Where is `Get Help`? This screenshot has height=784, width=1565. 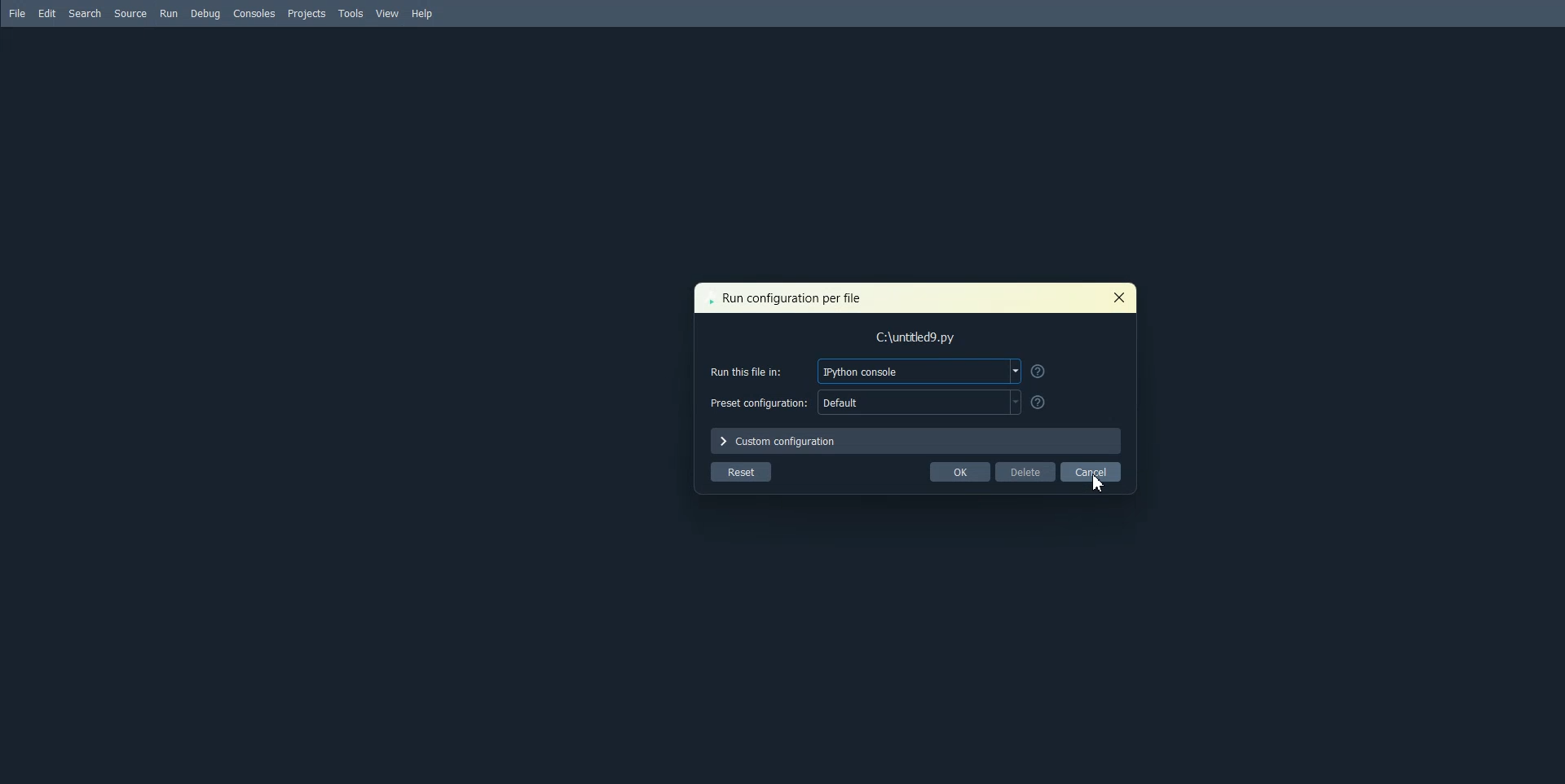 Get Help is located at coordinates (1039, 403).